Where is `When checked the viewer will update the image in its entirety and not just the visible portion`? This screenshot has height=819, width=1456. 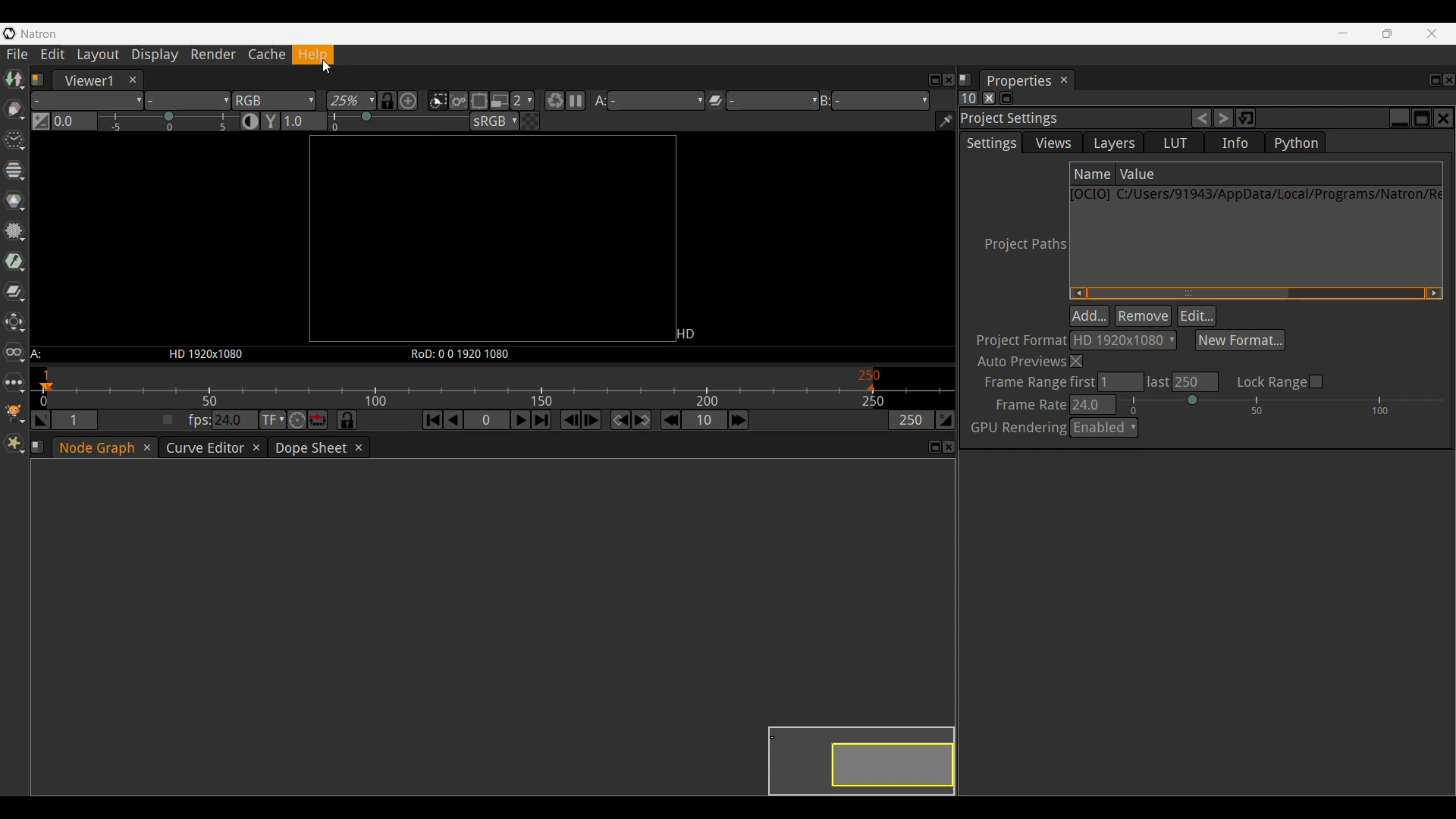 When checked the viewer will update the image in its entirety and not just the visible portion is located at coordinates (458, 101).